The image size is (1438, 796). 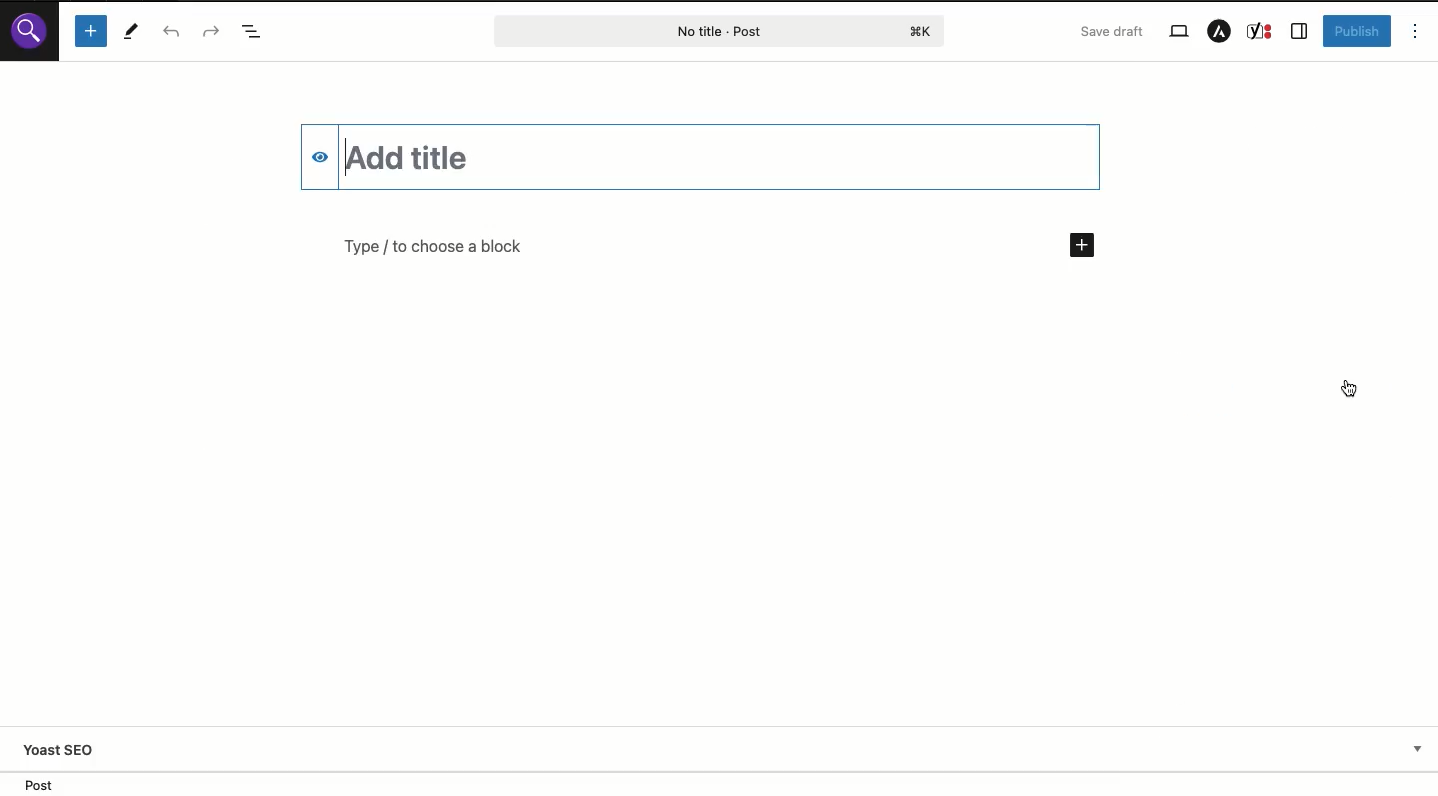 I want to click on Astra, so click(x=1219, y=33).